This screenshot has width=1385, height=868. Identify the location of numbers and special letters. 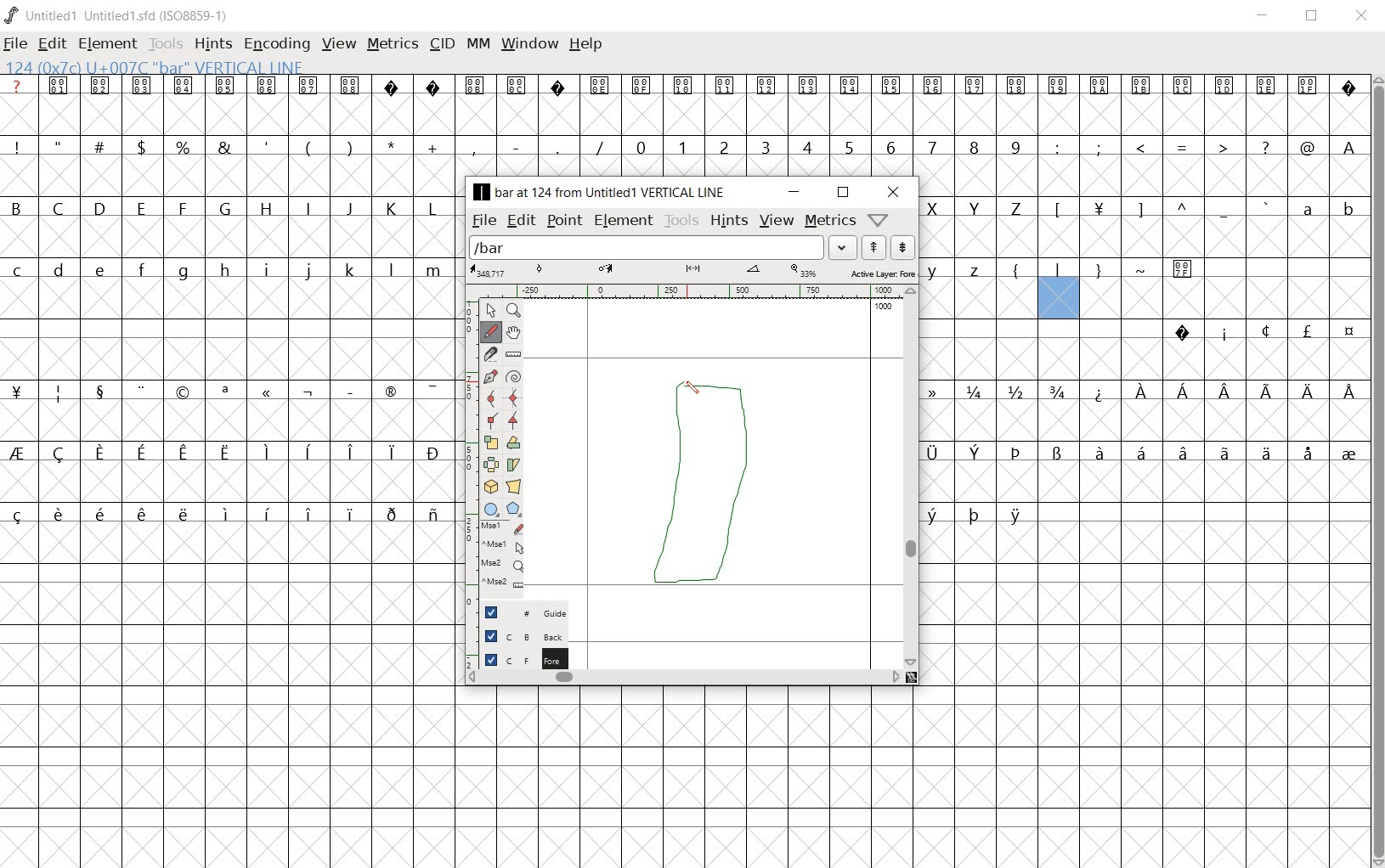
(1143, 391).